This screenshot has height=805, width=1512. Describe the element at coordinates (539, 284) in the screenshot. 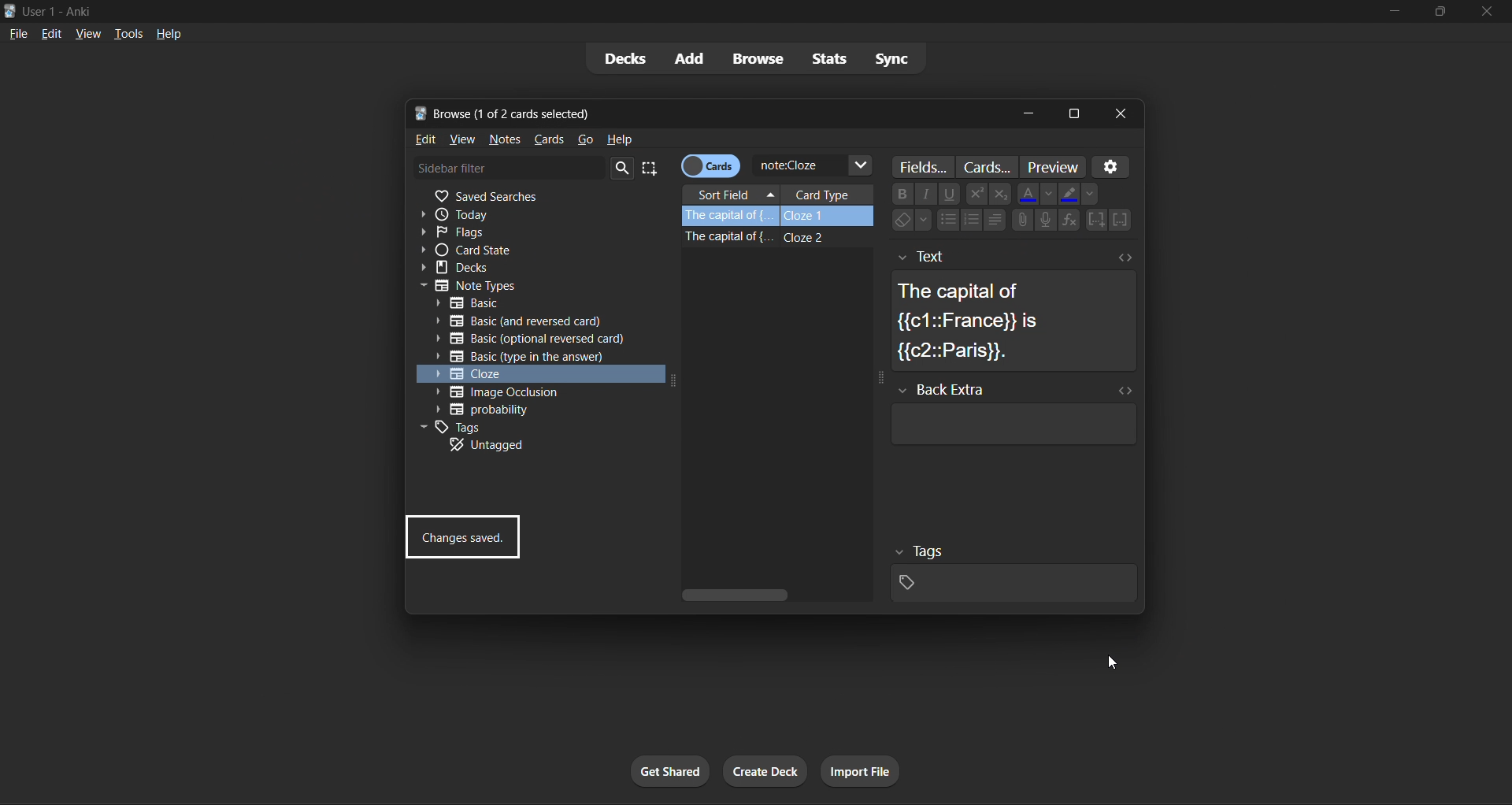

I see `notes type filter` at that location.